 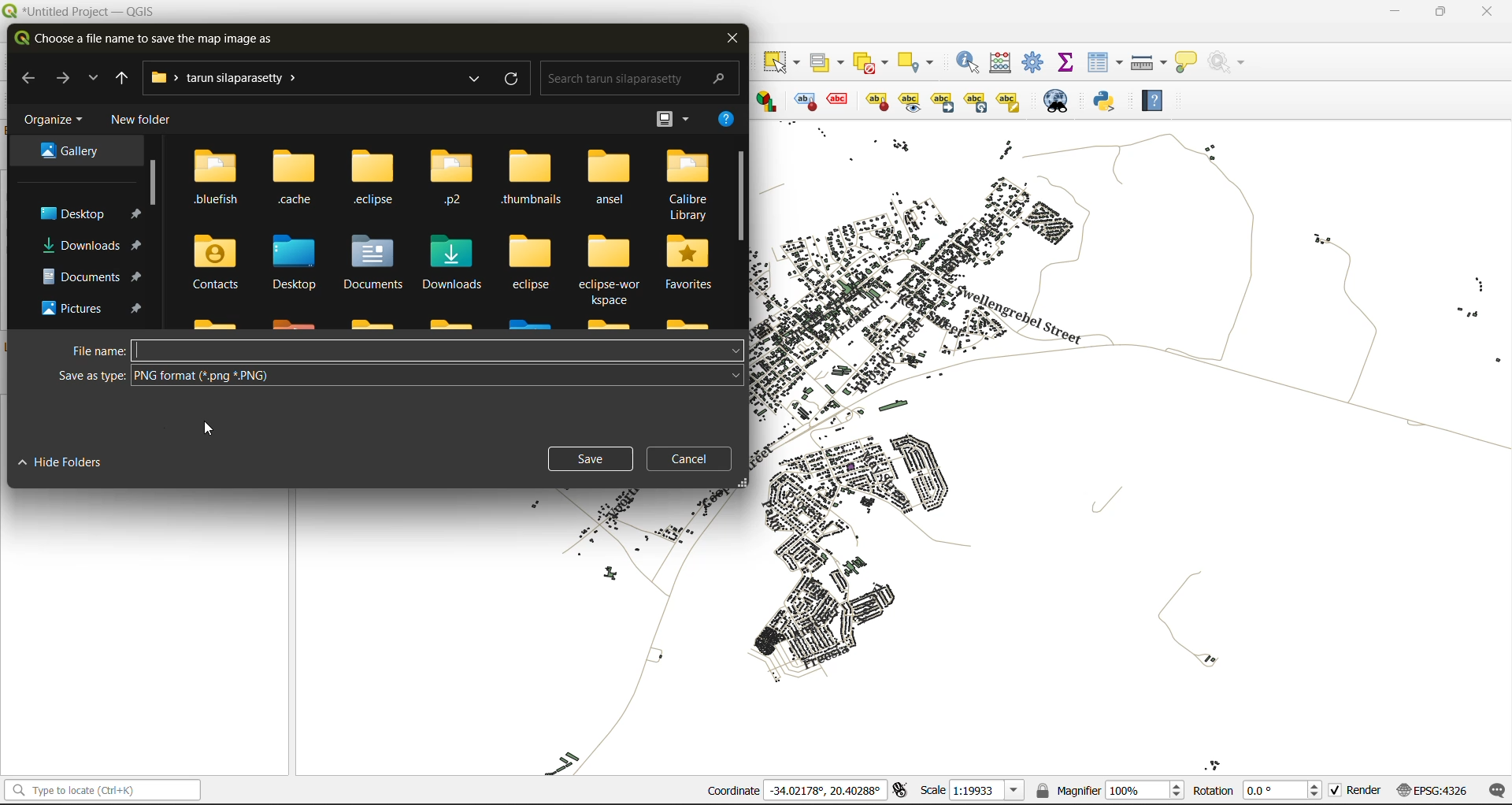 I want to click on select location, so click(x=921, y=61).